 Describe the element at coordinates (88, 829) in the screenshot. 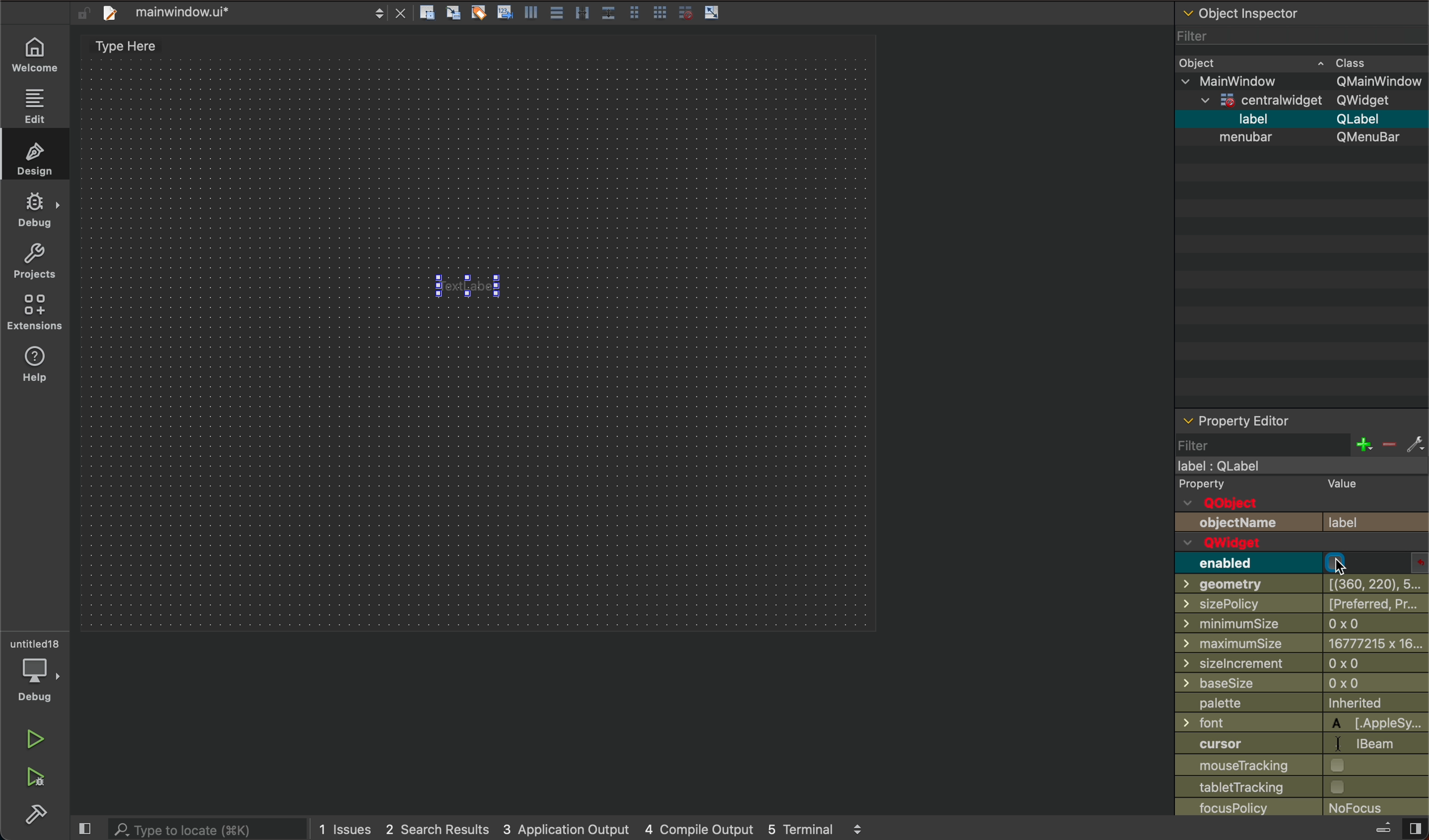

I see `close slide bar` at that location.